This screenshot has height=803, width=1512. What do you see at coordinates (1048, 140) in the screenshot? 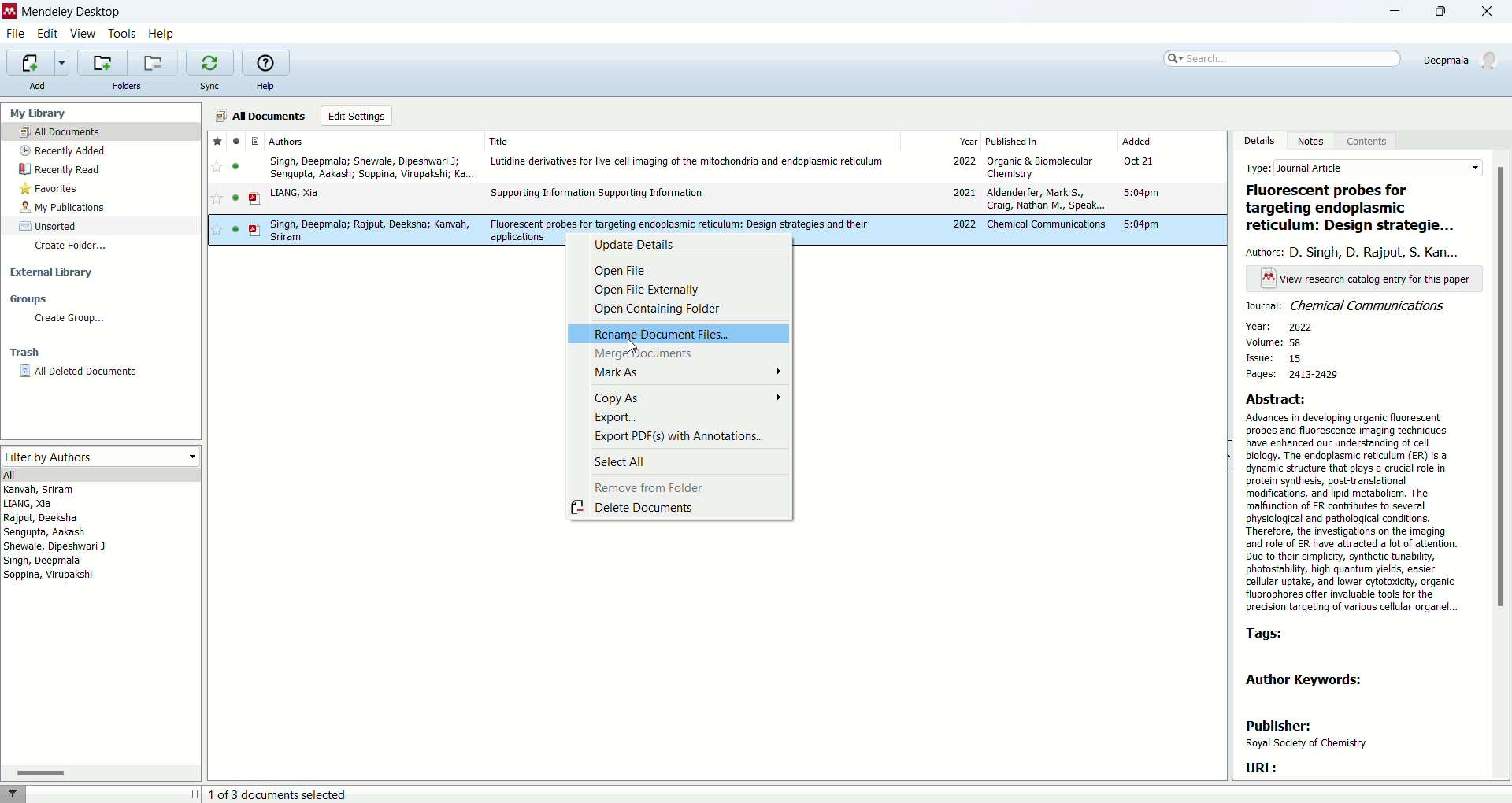
I see `published in` at bounding box center [1048, 140].